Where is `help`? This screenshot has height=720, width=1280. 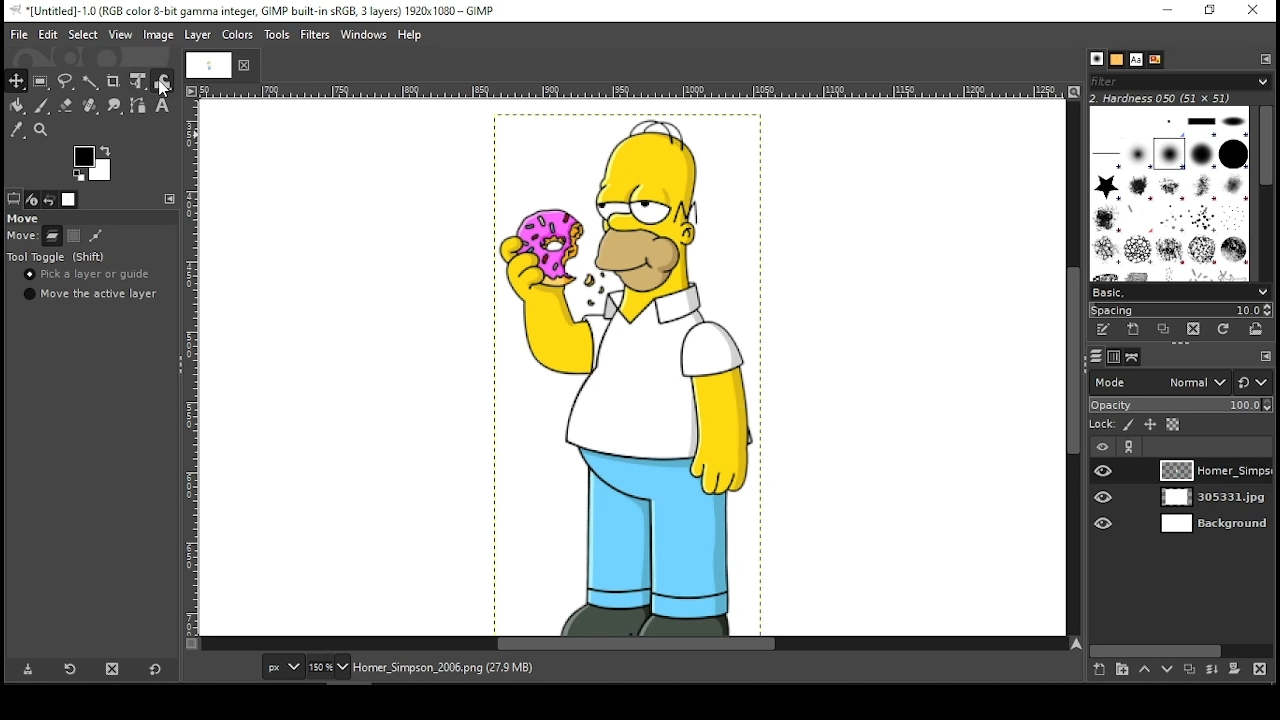
help is located at coordinates (411, 36).